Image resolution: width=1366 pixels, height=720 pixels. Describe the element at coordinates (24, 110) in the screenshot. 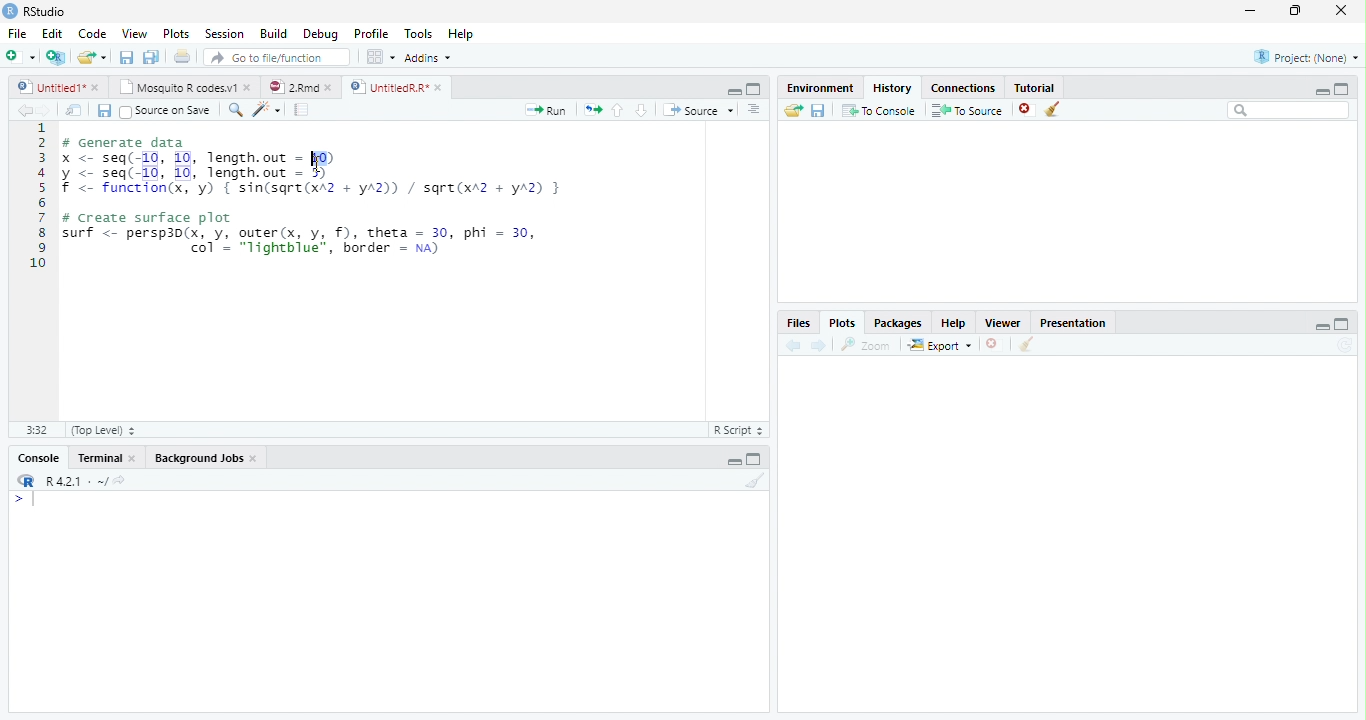

I see `Go back to previous source location` at that location.